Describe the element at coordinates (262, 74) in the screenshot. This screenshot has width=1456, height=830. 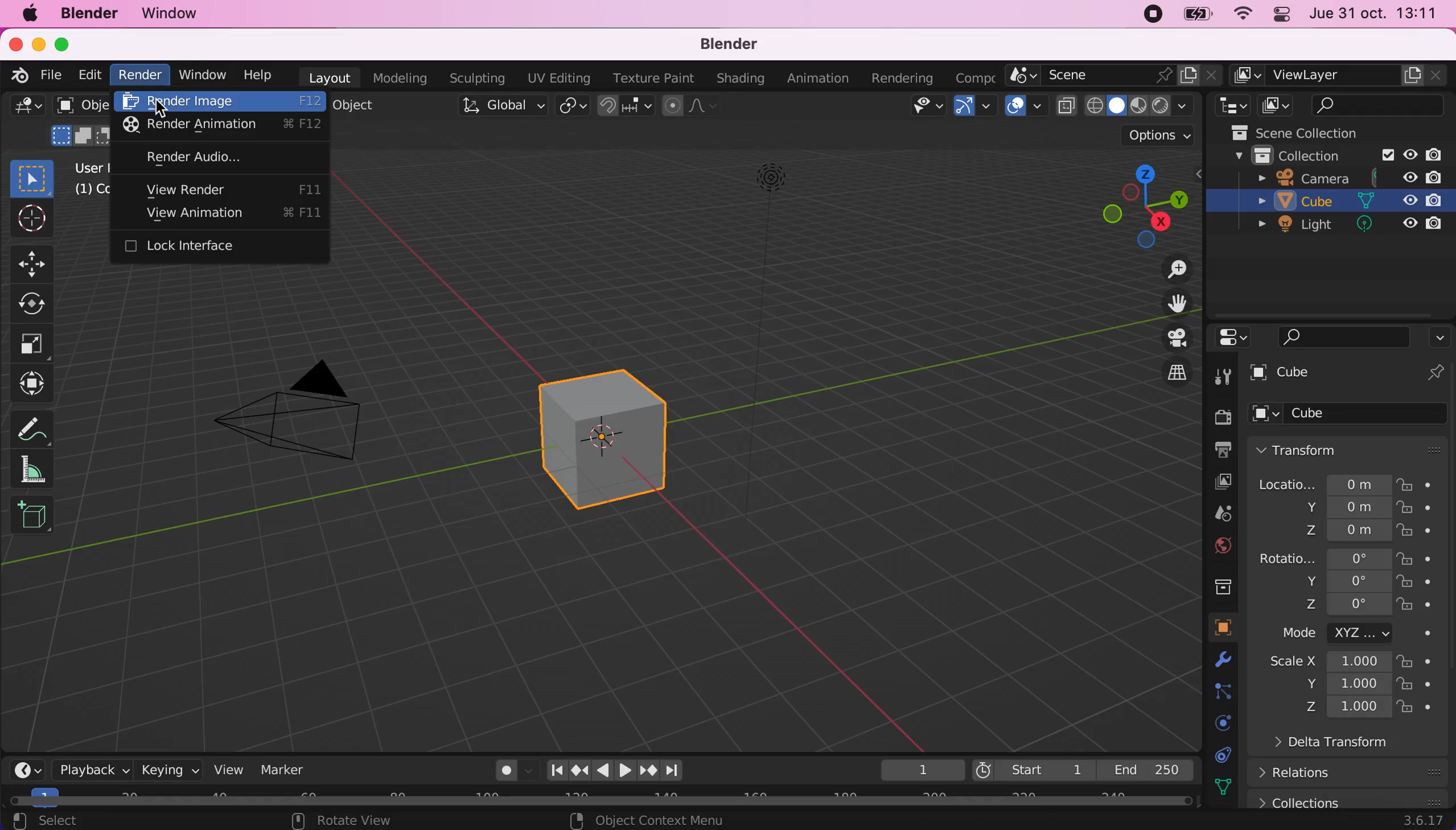
I see `help` at that location.